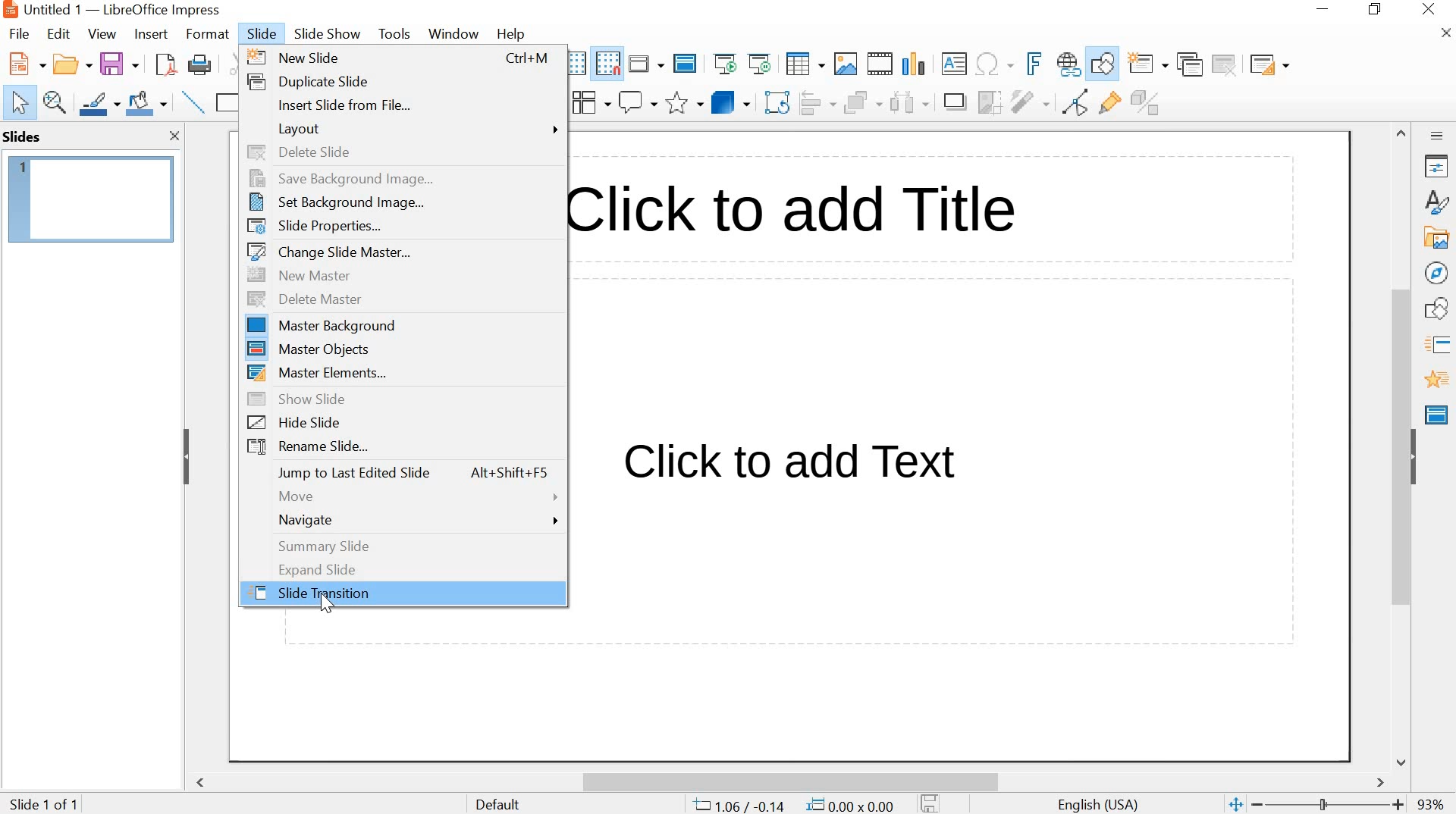  Describe the element at coordinates (820, 102) in the screenshot. I see `Align objects` at that location.